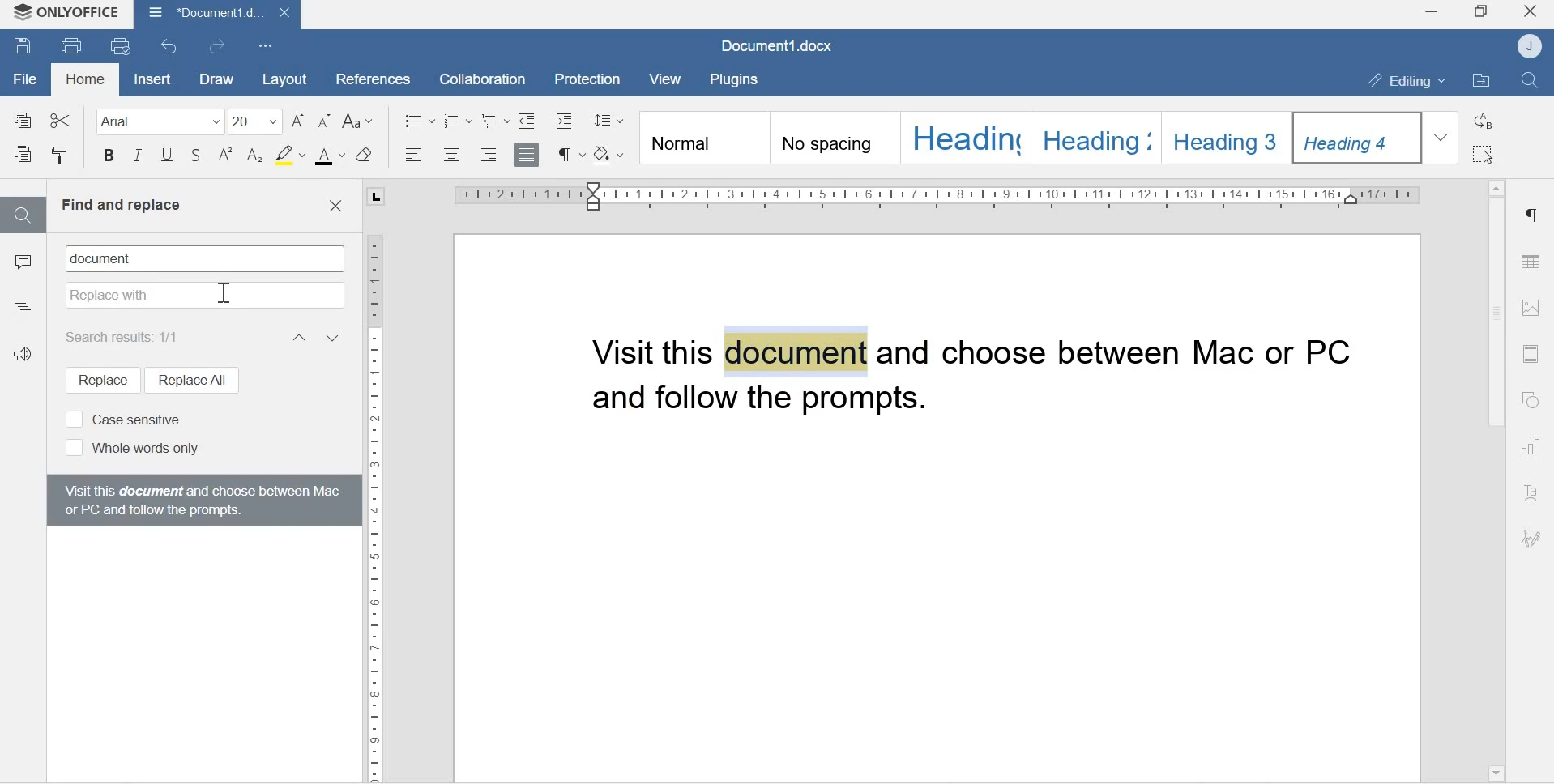 The image size is (1554, 784). What do you see at coordinates (154, 121) in the screenshot?
I see `Font` at bounding box center [154, 121].